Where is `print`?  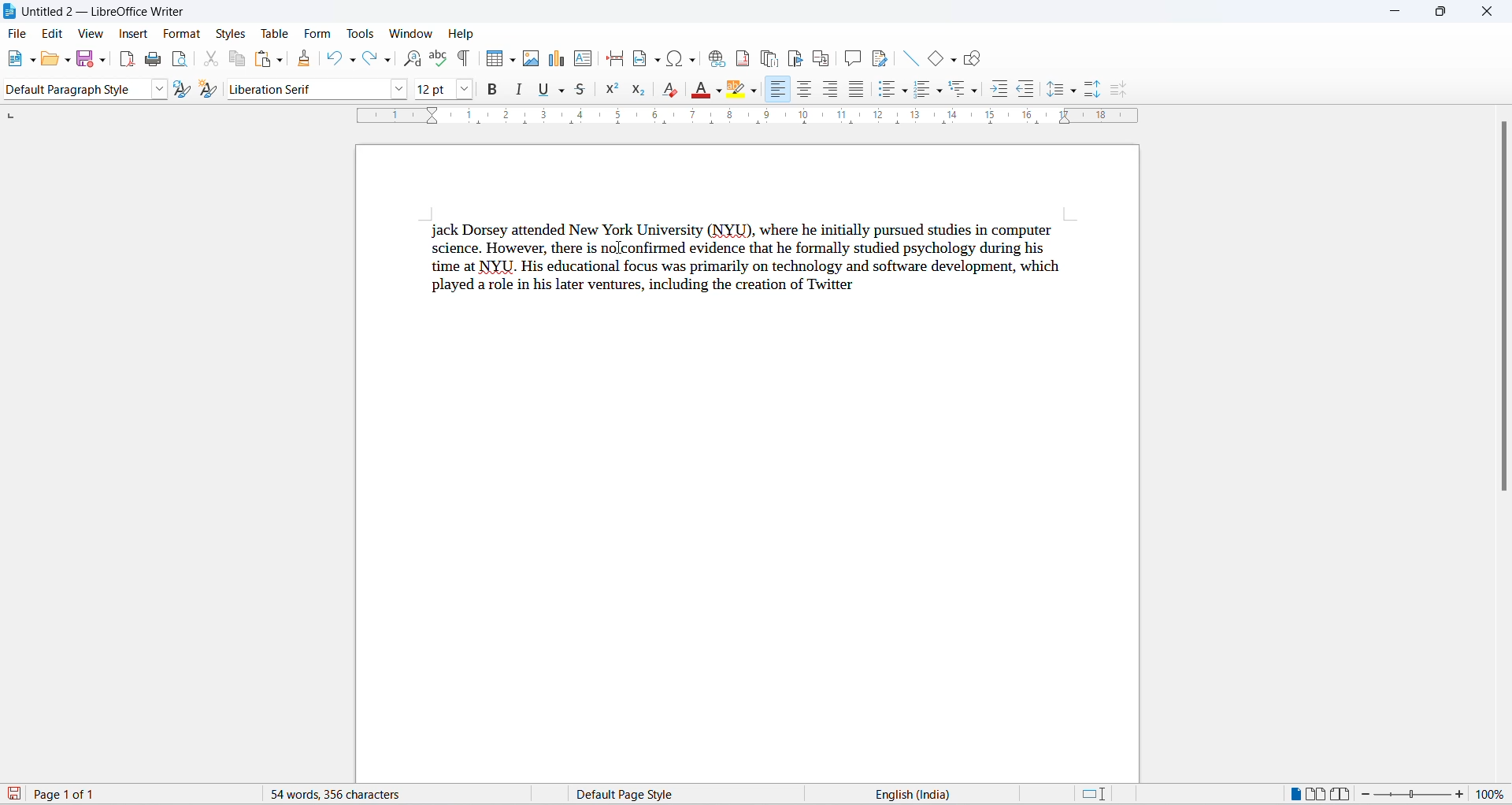 print is located at coordinates (154, 62).